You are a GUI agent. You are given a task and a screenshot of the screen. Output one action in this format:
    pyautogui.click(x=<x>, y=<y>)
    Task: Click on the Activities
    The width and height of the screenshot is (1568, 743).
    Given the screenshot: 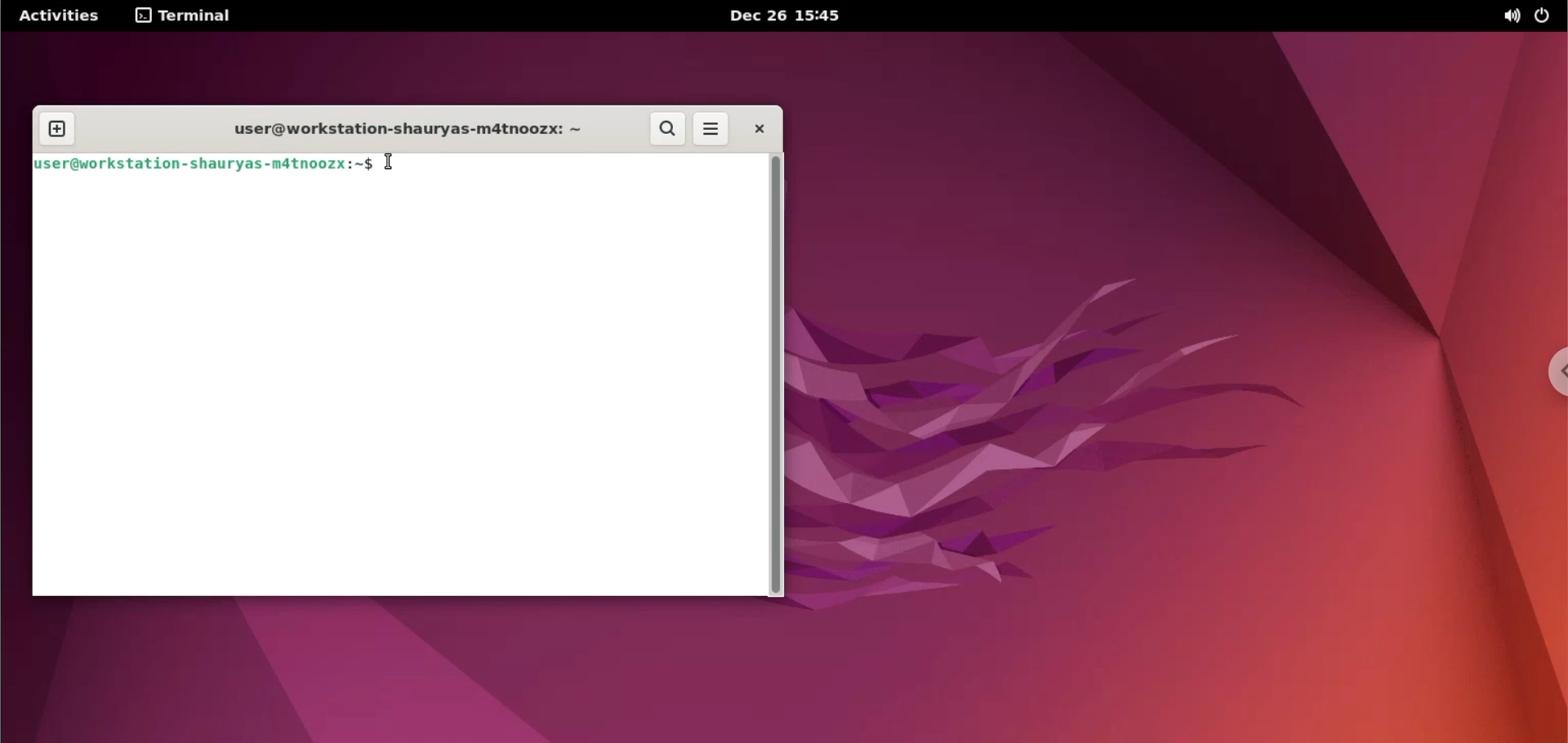 What is the action you would take?
    pyautogui.click(x=62, y=16)
    